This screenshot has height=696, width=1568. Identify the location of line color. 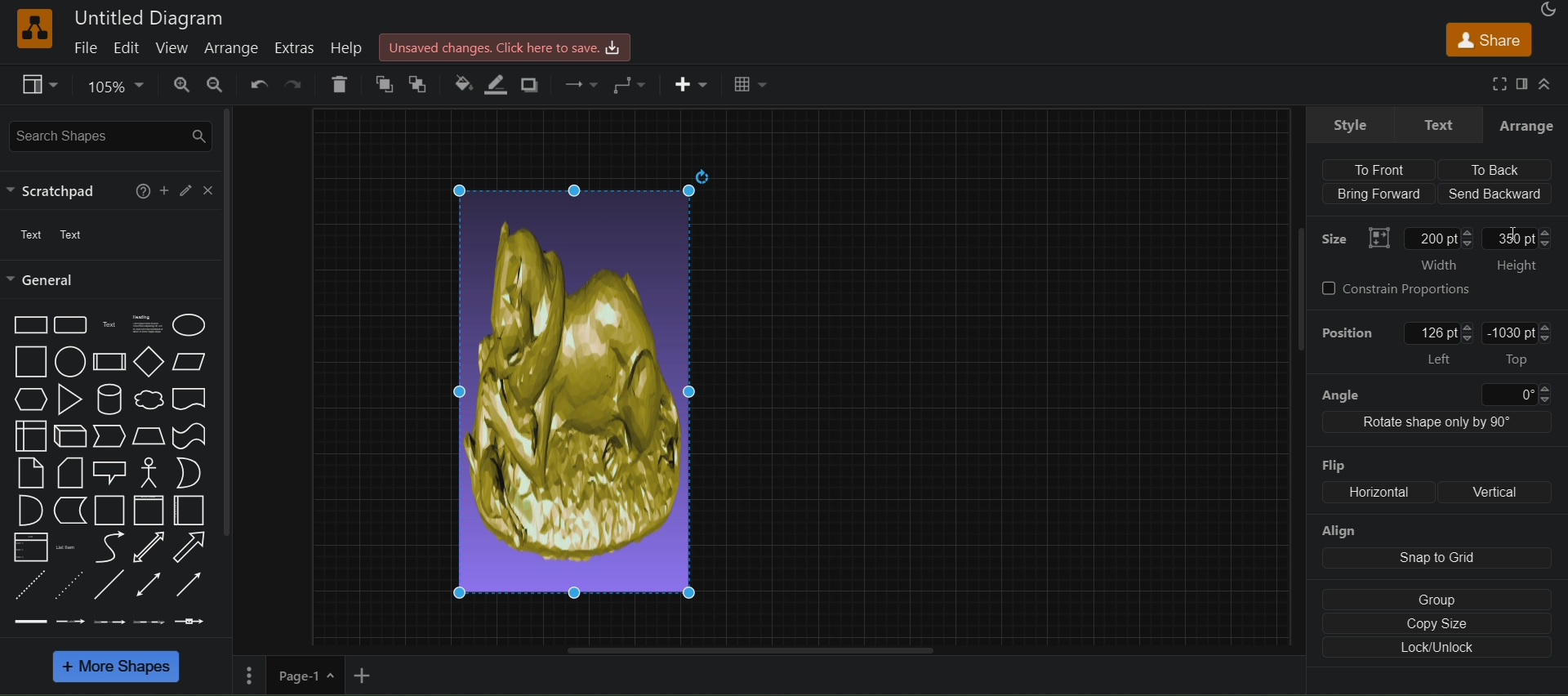
(498, 86).